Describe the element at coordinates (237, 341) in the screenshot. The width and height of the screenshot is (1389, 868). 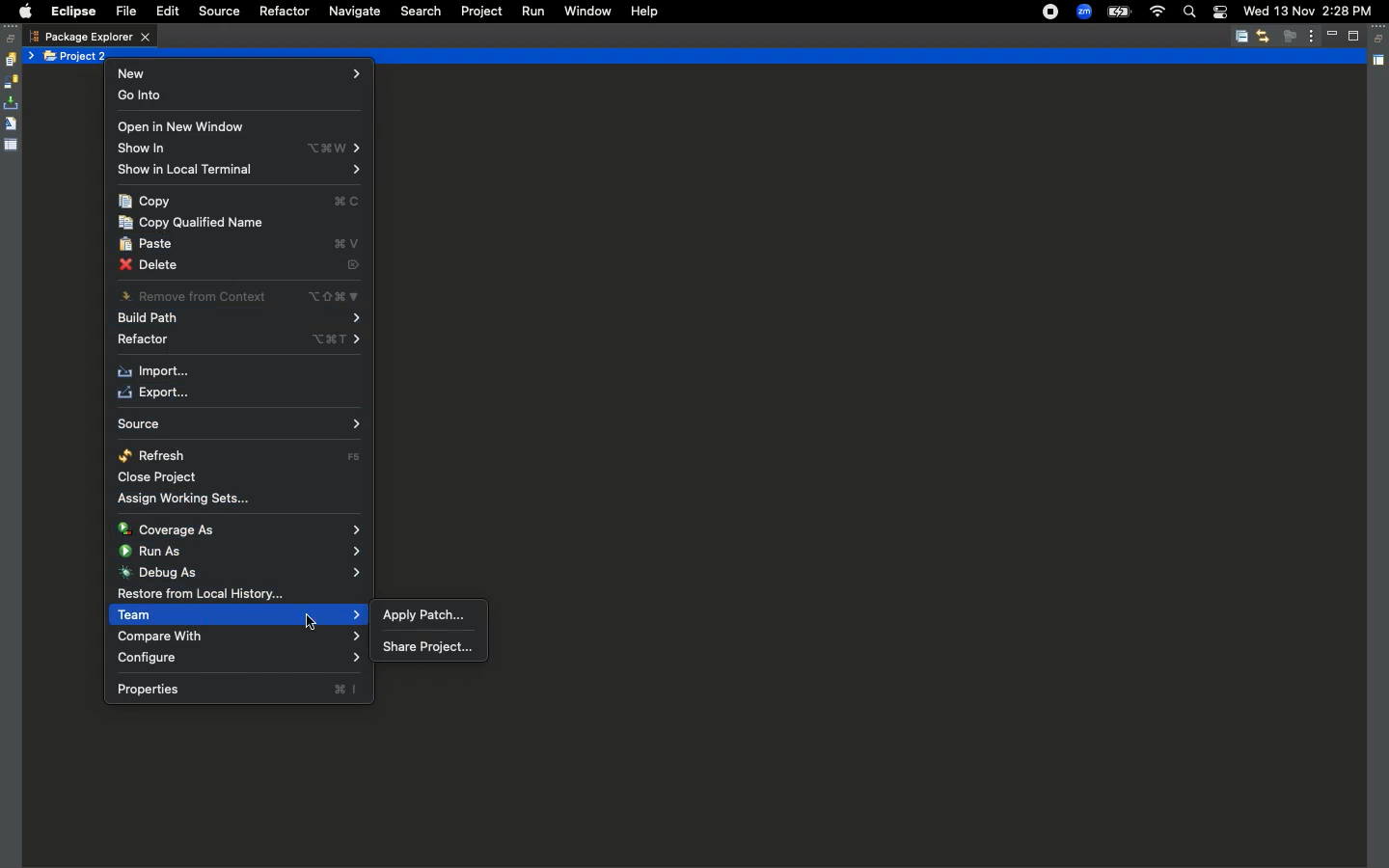
I see `Refactor` at that location.